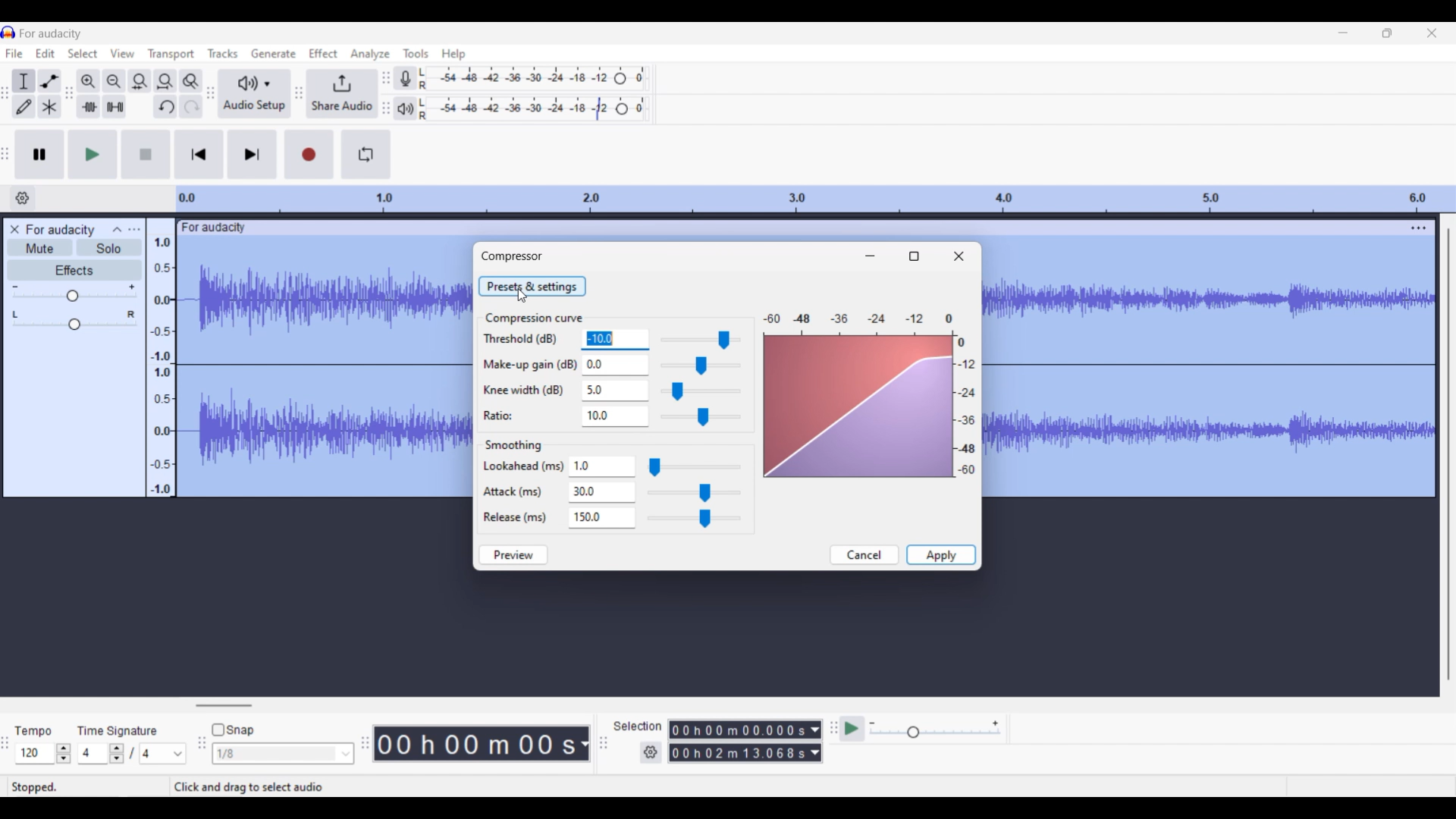 Image resolution: width=1456 pixels, height=819 pixels. What do you see at coordinates (83, 53) in the screenshot?
I see `Select` at bounding box center [83, 53].